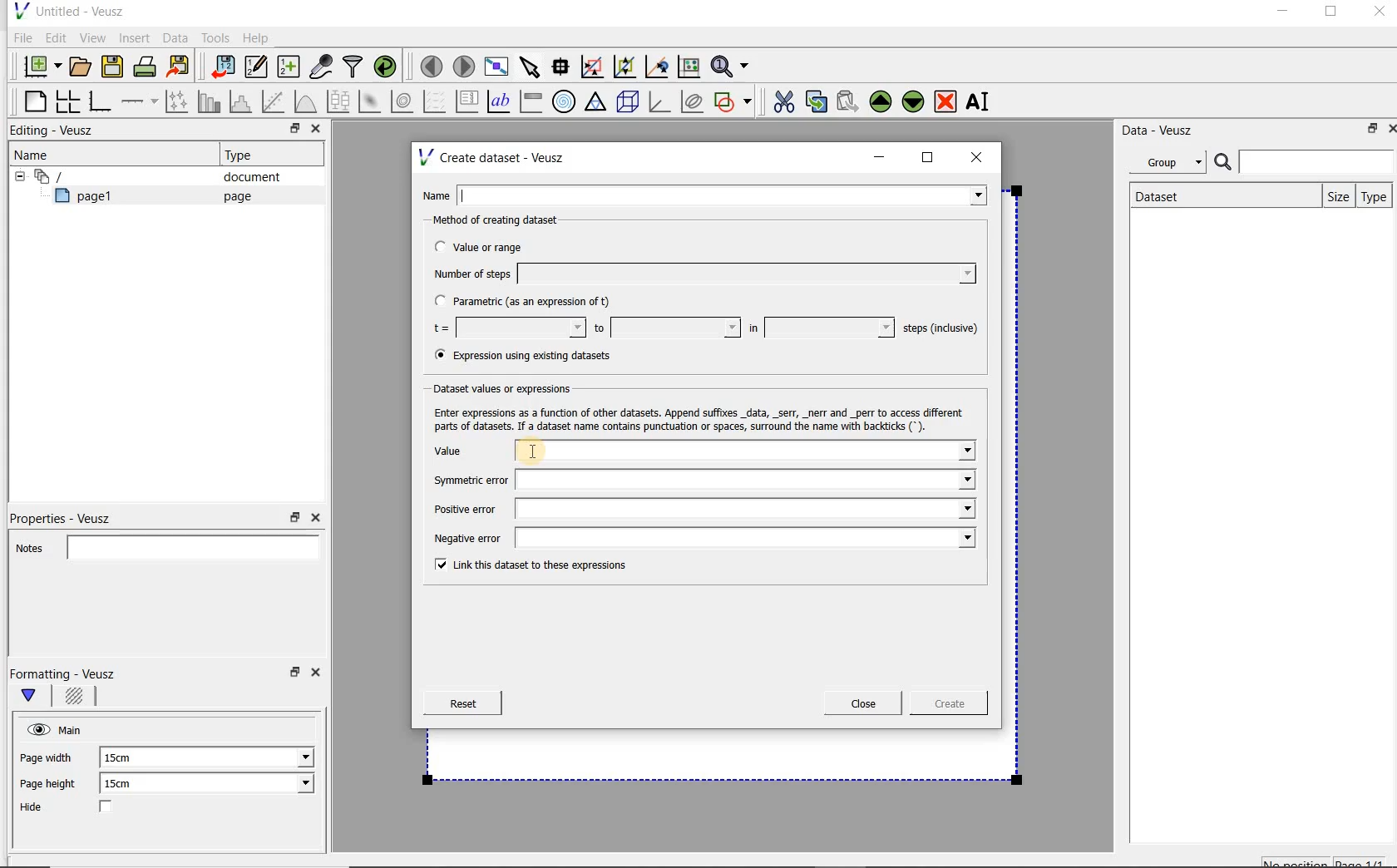 The height and width of the screenshot is (868, 1397). I want to click on Search bar, so click(1305, 160).